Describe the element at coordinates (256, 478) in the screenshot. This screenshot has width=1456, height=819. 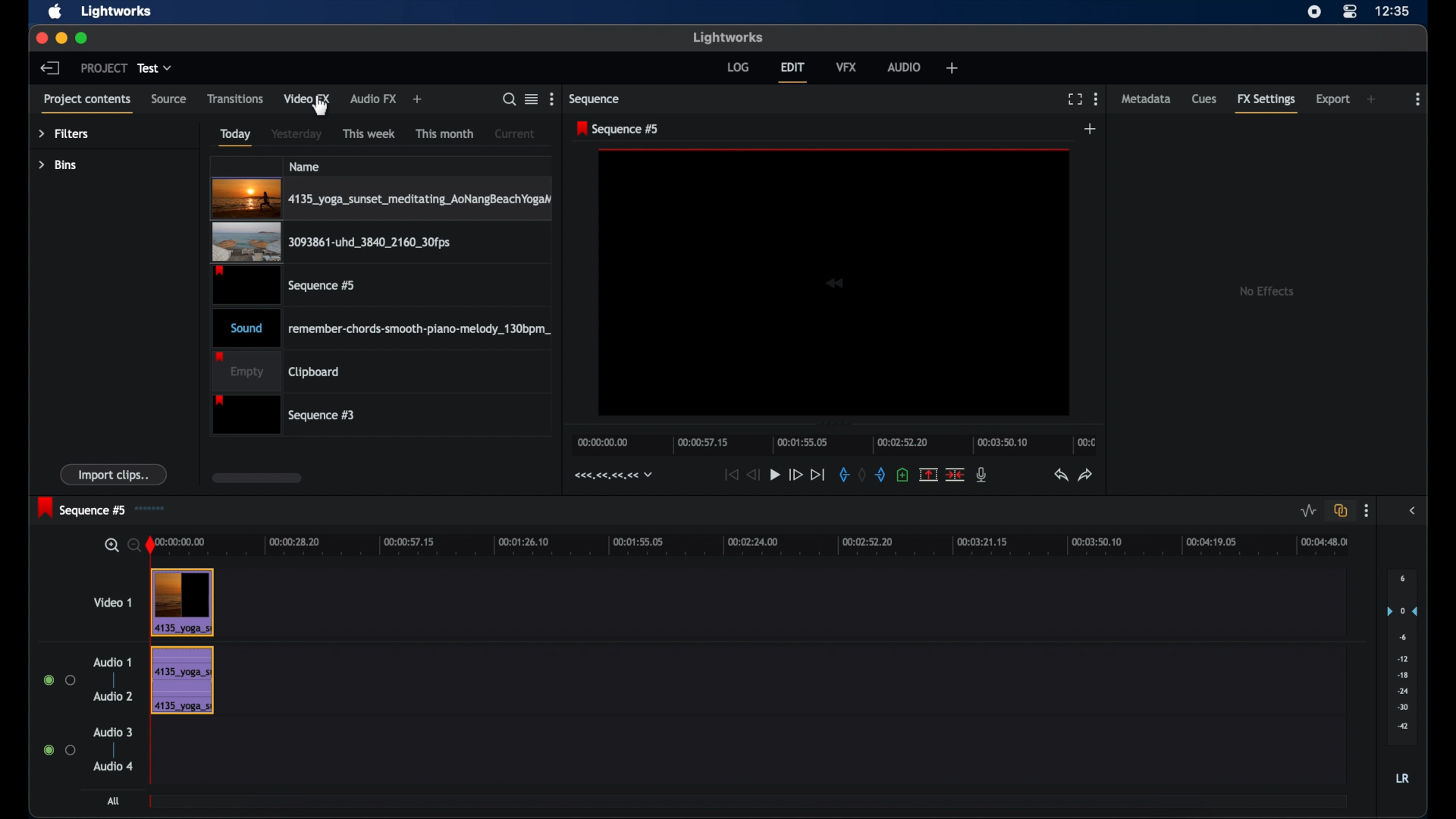
I see `scroll box` at that location.